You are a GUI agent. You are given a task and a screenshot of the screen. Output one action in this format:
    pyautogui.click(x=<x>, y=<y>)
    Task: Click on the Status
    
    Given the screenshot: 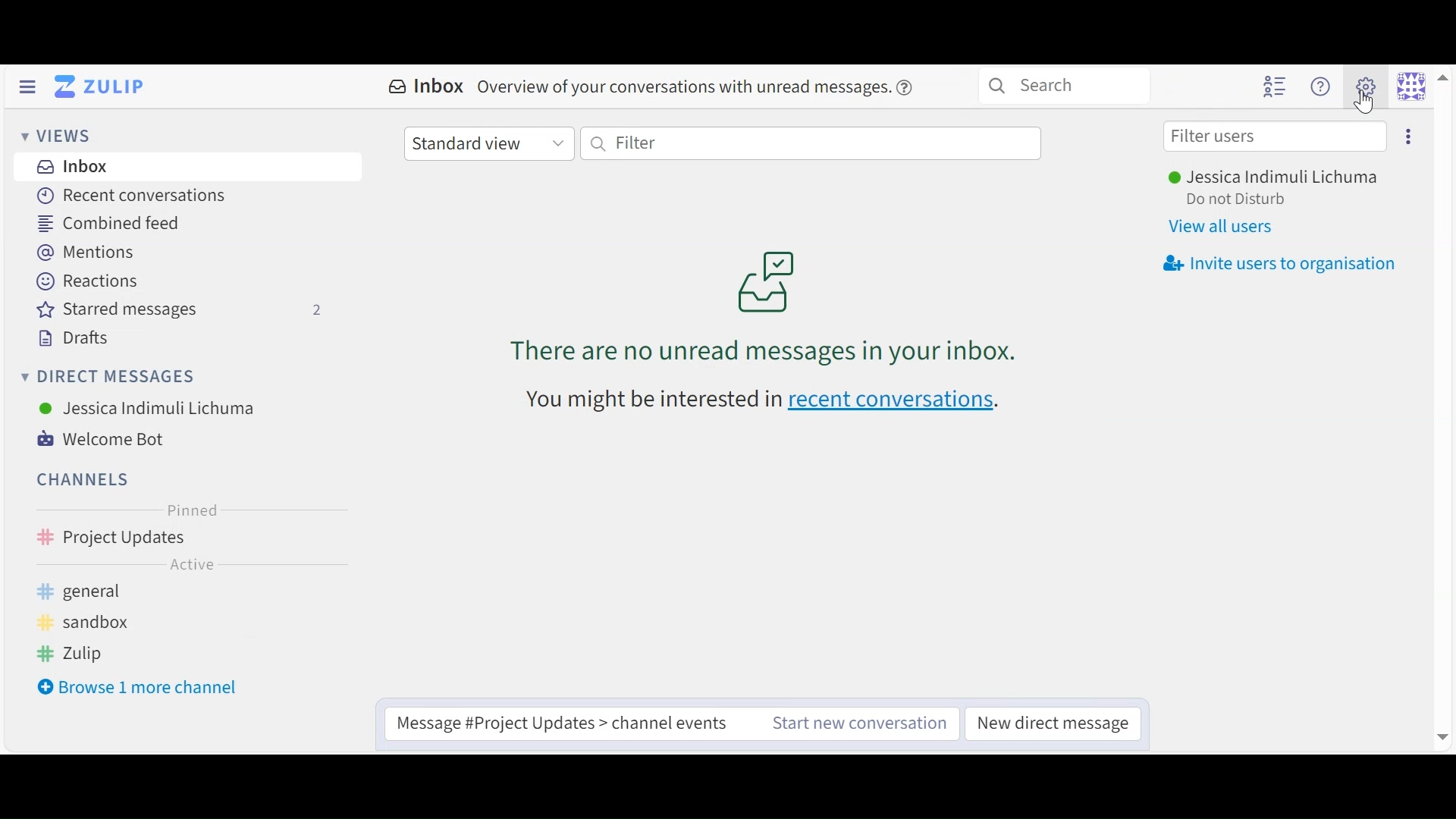 What is the action you would take?
    pyautogui.click(x=1230, y=199)
    